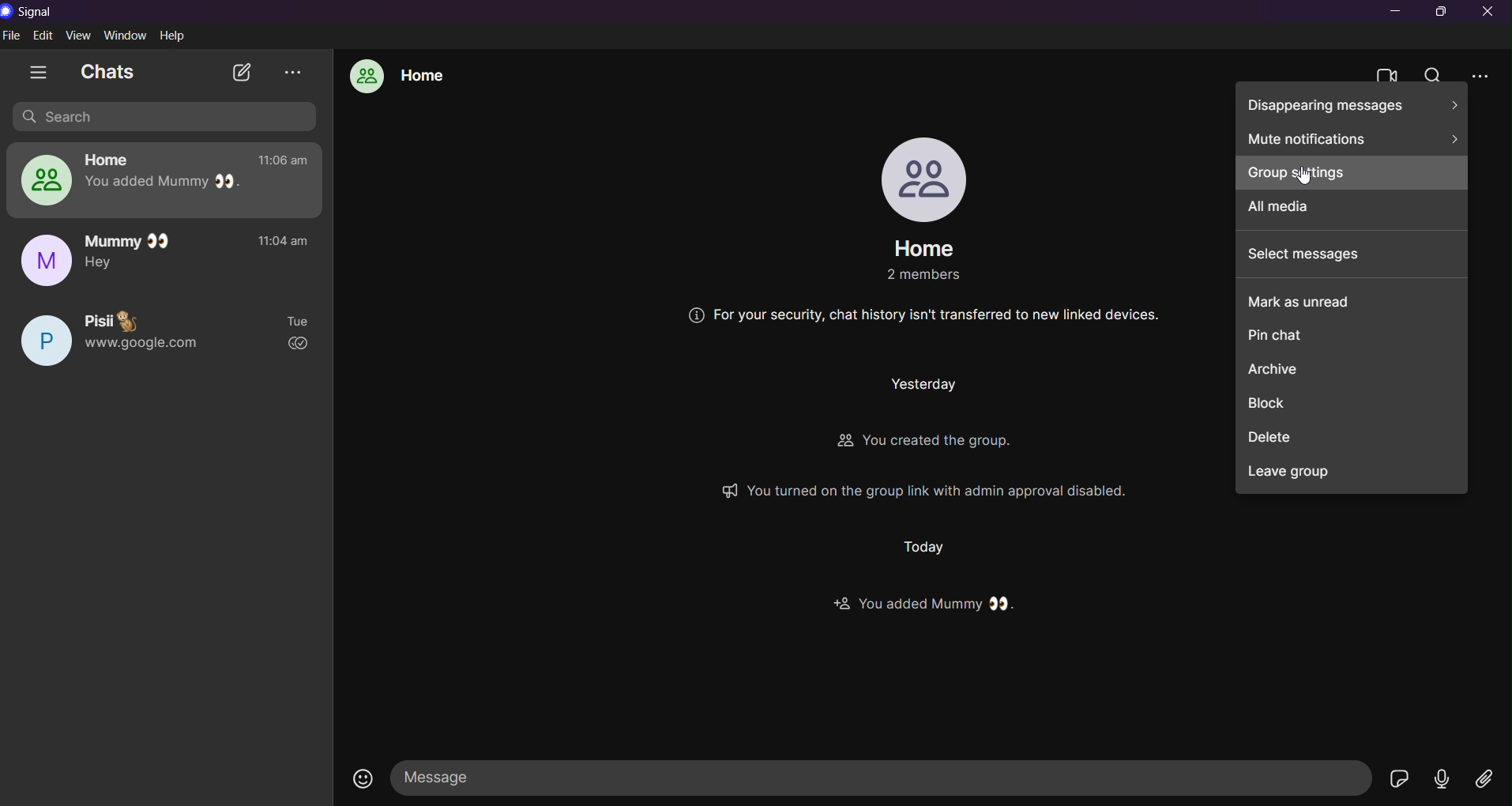  What do you see at coordinates (1397, 13) in the screenshot?
I see `minimize` at bounding box center [1397, 13].